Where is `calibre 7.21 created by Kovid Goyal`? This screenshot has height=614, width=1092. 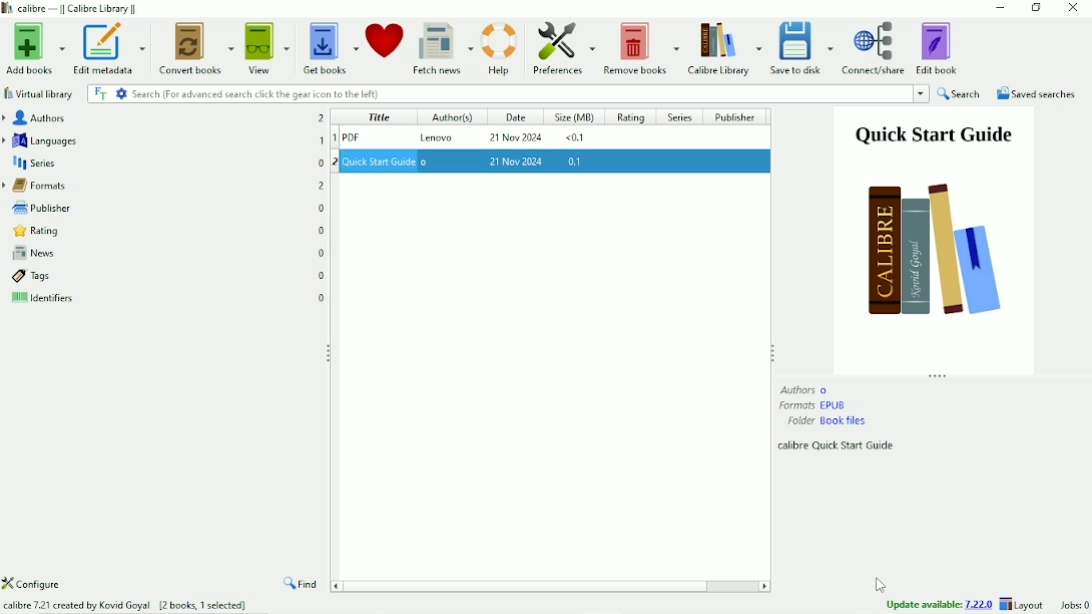 calibre 7.21 created by Kovid Goyal is located at coordinates (126, 606).